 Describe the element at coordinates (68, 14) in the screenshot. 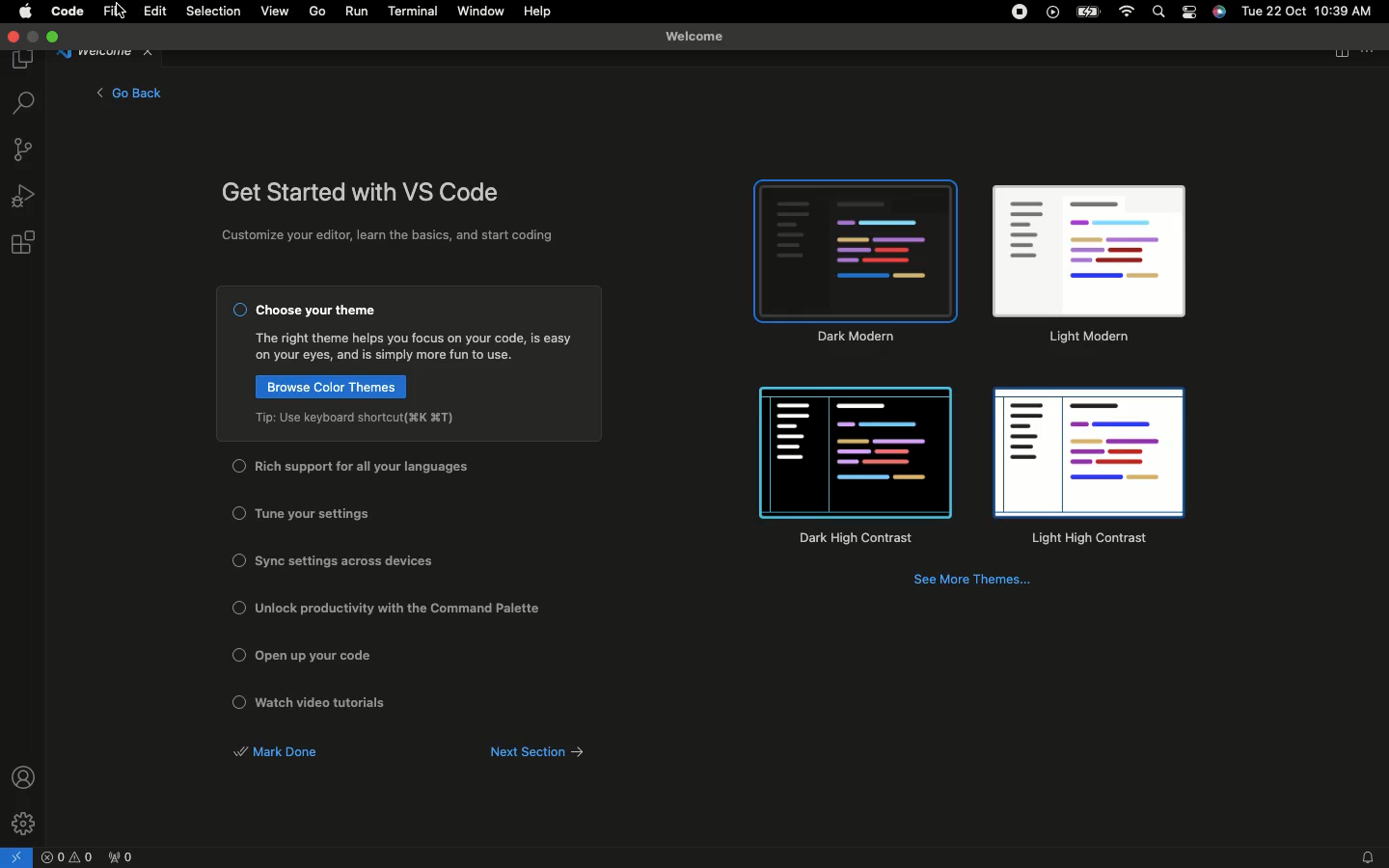

I see `Code` at that location.